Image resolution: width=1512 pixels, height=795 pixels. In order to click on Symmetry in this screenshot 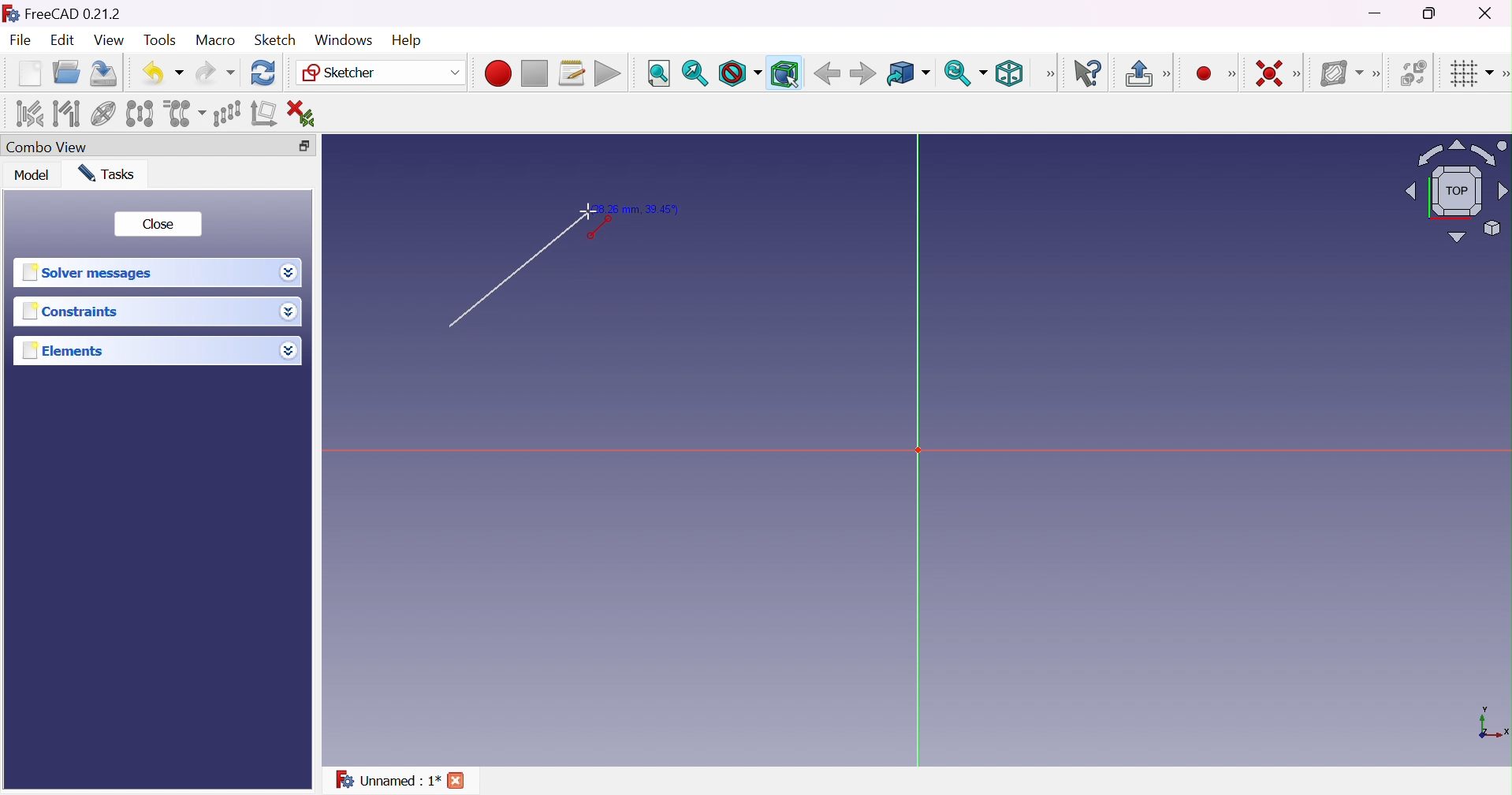, I will do `click(139, 114)`.